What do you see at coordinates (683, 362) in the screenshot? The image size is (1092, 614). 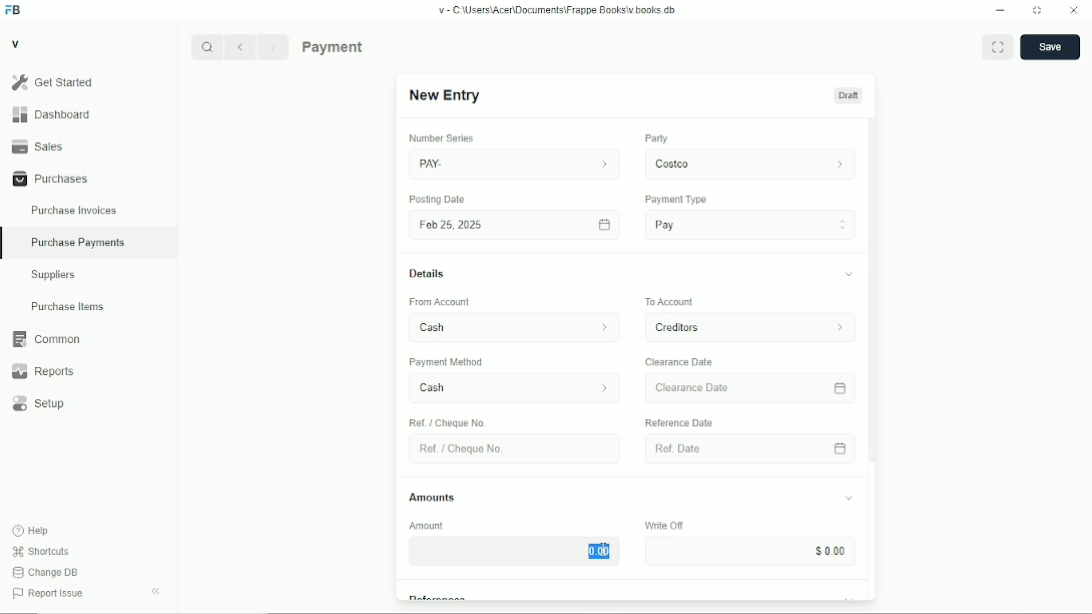 I see `Clearance Date` at bounding box center [683, 362].